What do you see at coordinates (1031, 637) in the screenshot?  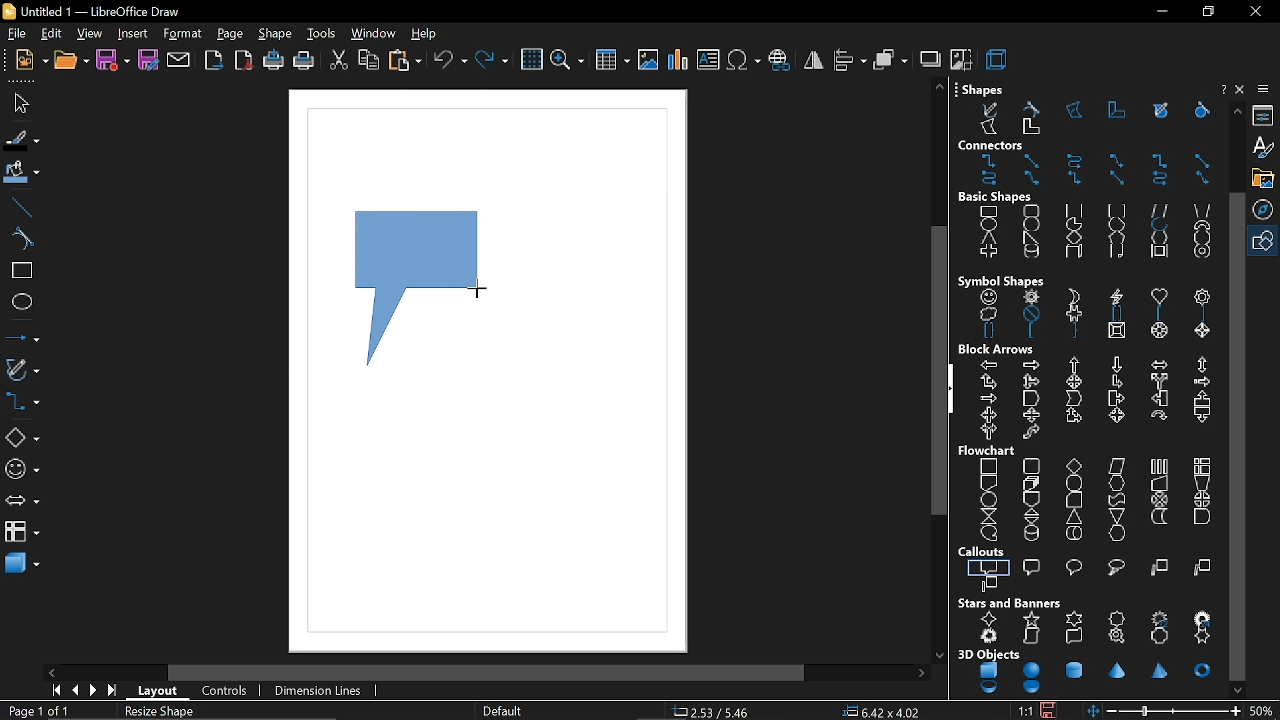 I see `vertical scroll` at bounding box center [1031, 637].